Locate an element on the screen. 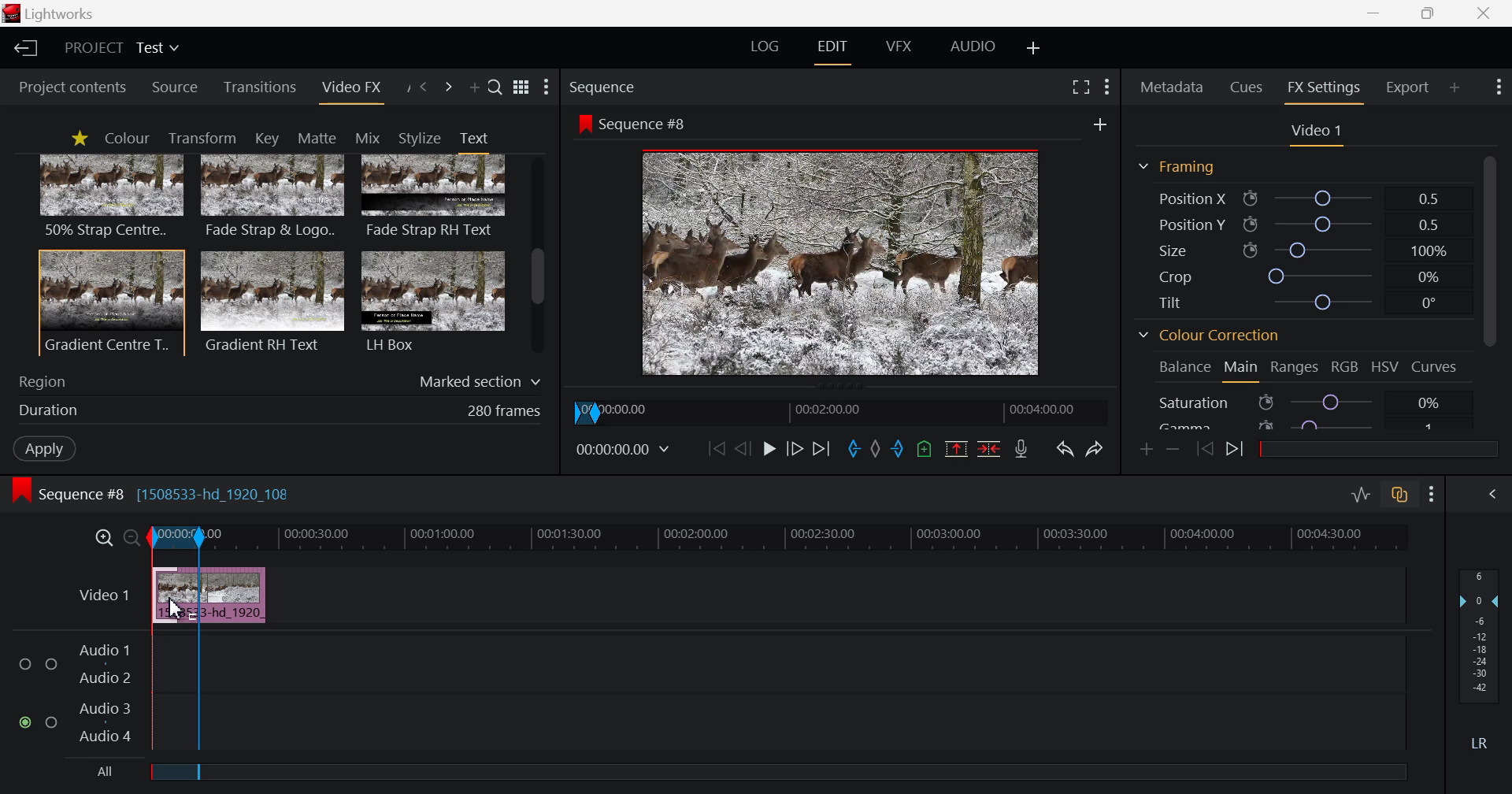 The height and width of the screenshot is (794, 1512). Balance is located at coordinates (1184, 366).